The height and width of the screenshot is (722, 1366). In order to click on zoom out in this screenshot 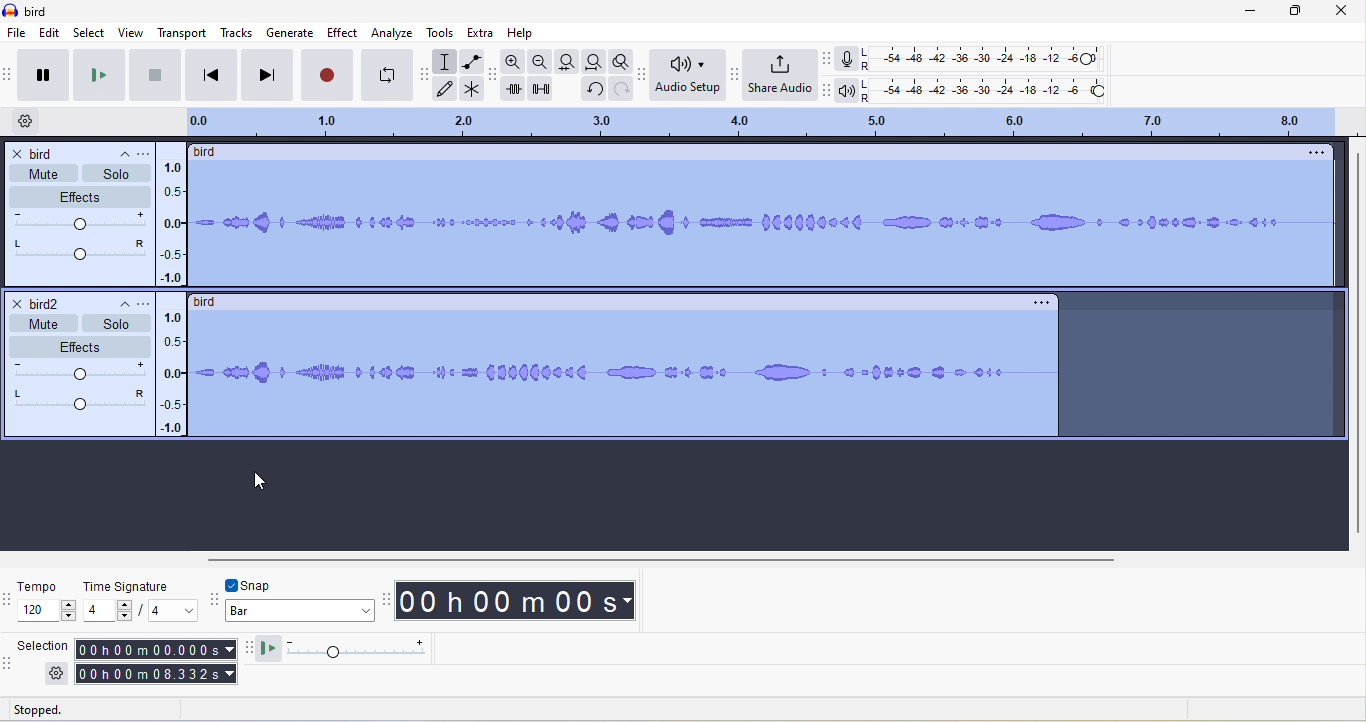, I will do `click(539, 60)`.